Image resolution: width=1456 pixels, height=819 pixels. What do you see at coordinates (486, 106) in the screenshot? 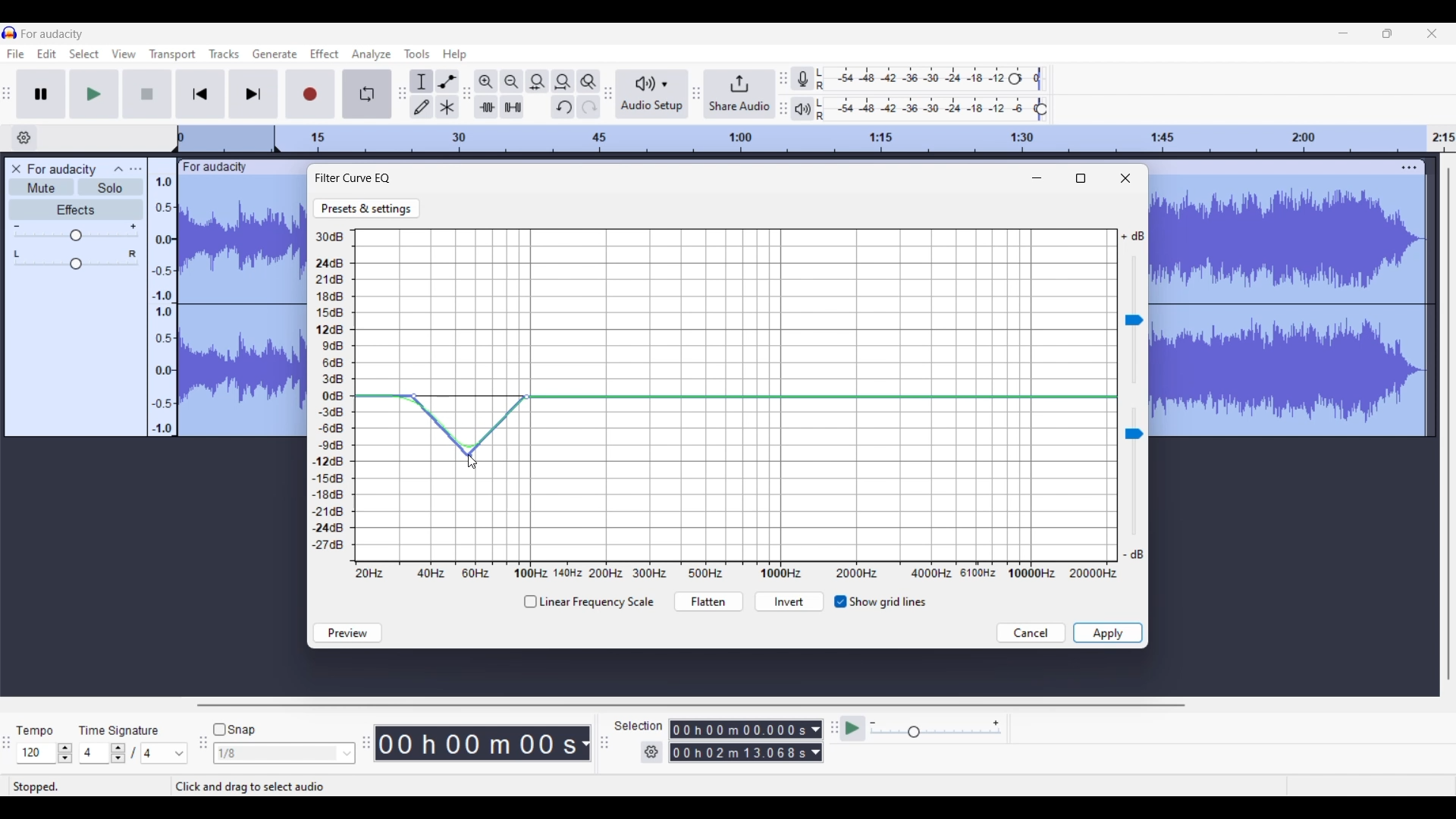
I see `Trim audio outside selection` at bounding box center [486, 106].